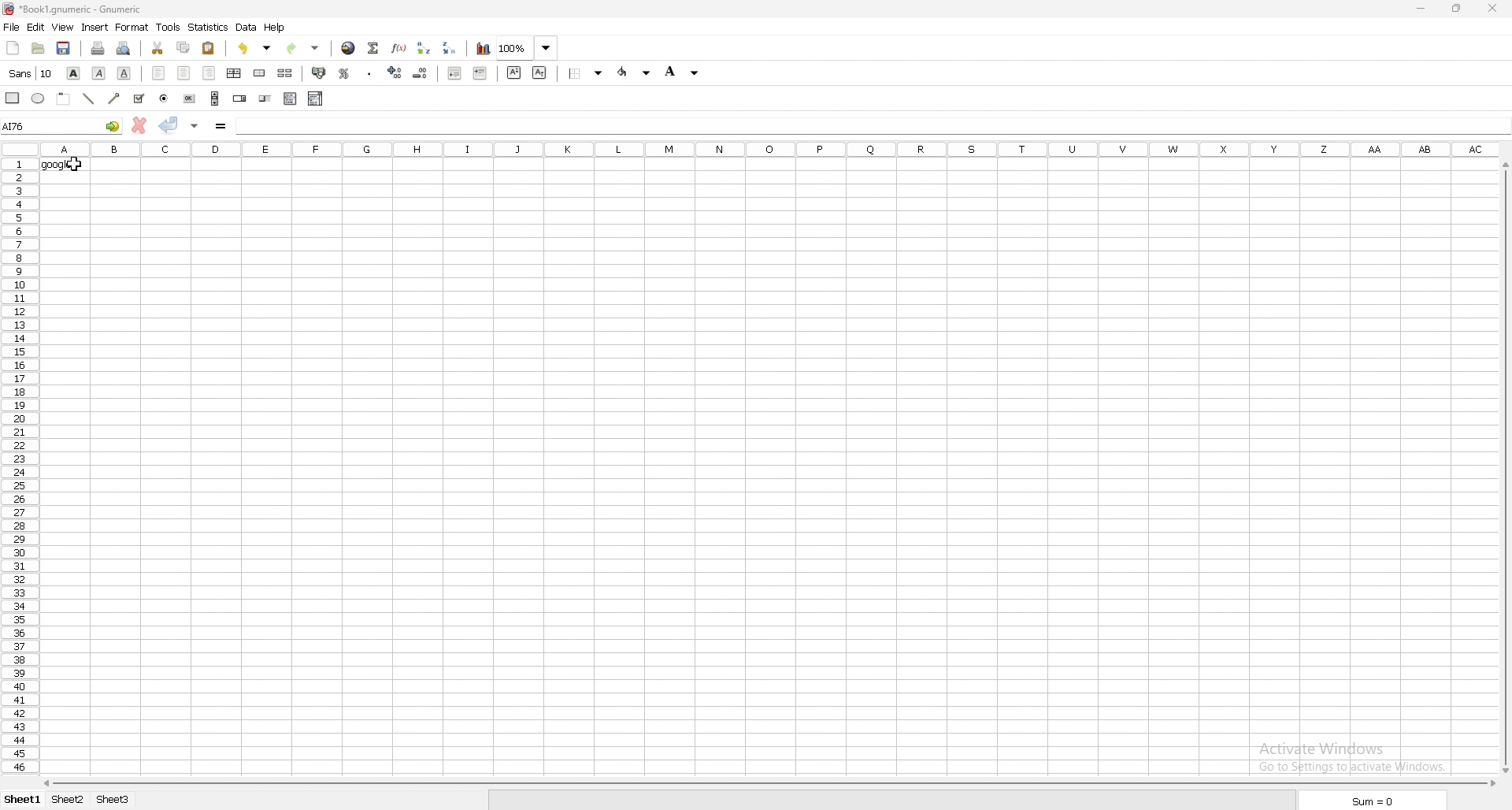 The height and width of the screenshot is (810, 1512). What do you see at coordinates (157, 48) in the screenshot?
I see `cut` at bounding box center [157, 48].